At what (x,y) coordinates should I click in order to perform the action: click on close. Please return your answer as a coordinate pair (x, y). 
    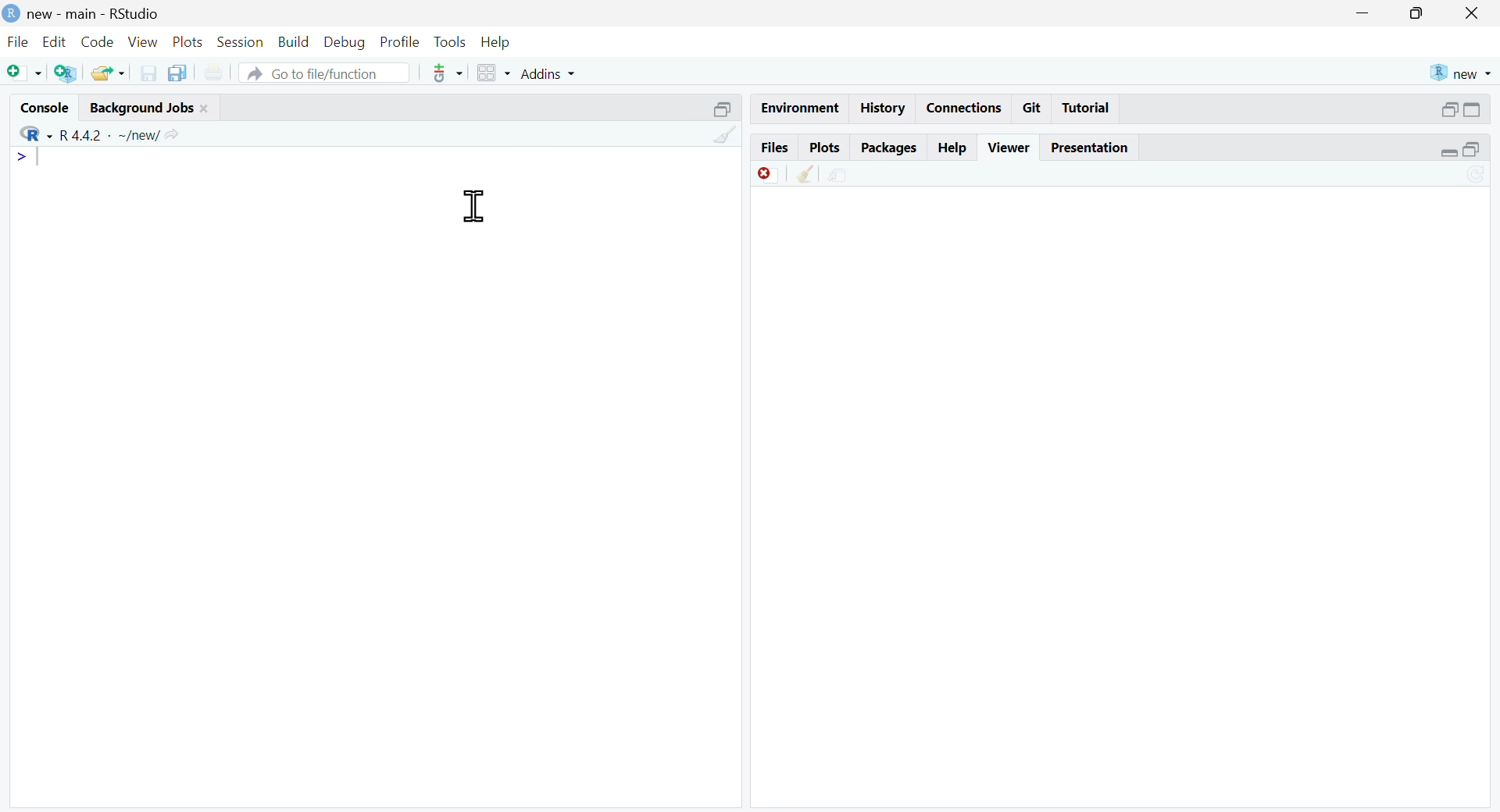
    Looking at the image, I should click on (205, 109).